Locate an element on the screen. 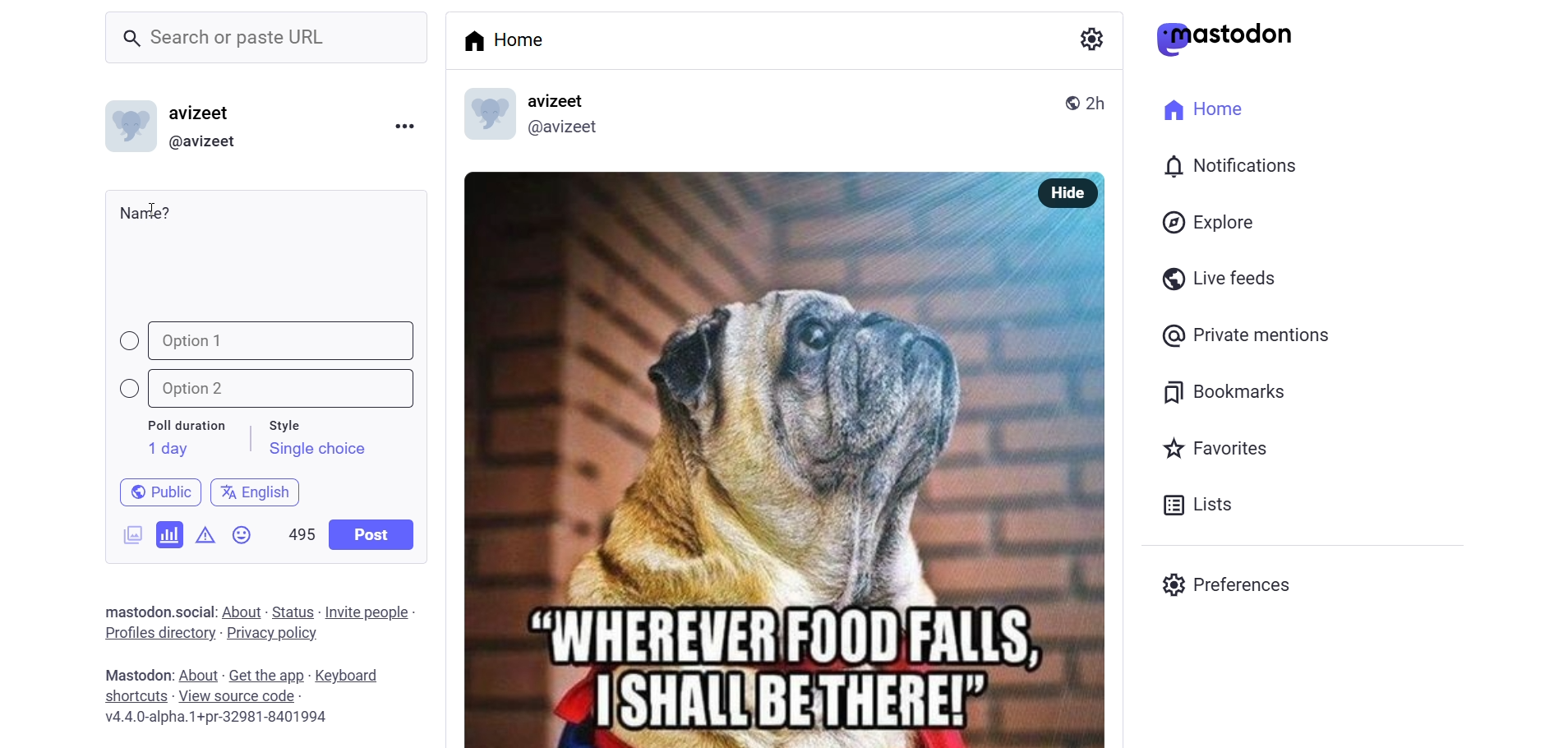  about is located at coordinates (196, 676).